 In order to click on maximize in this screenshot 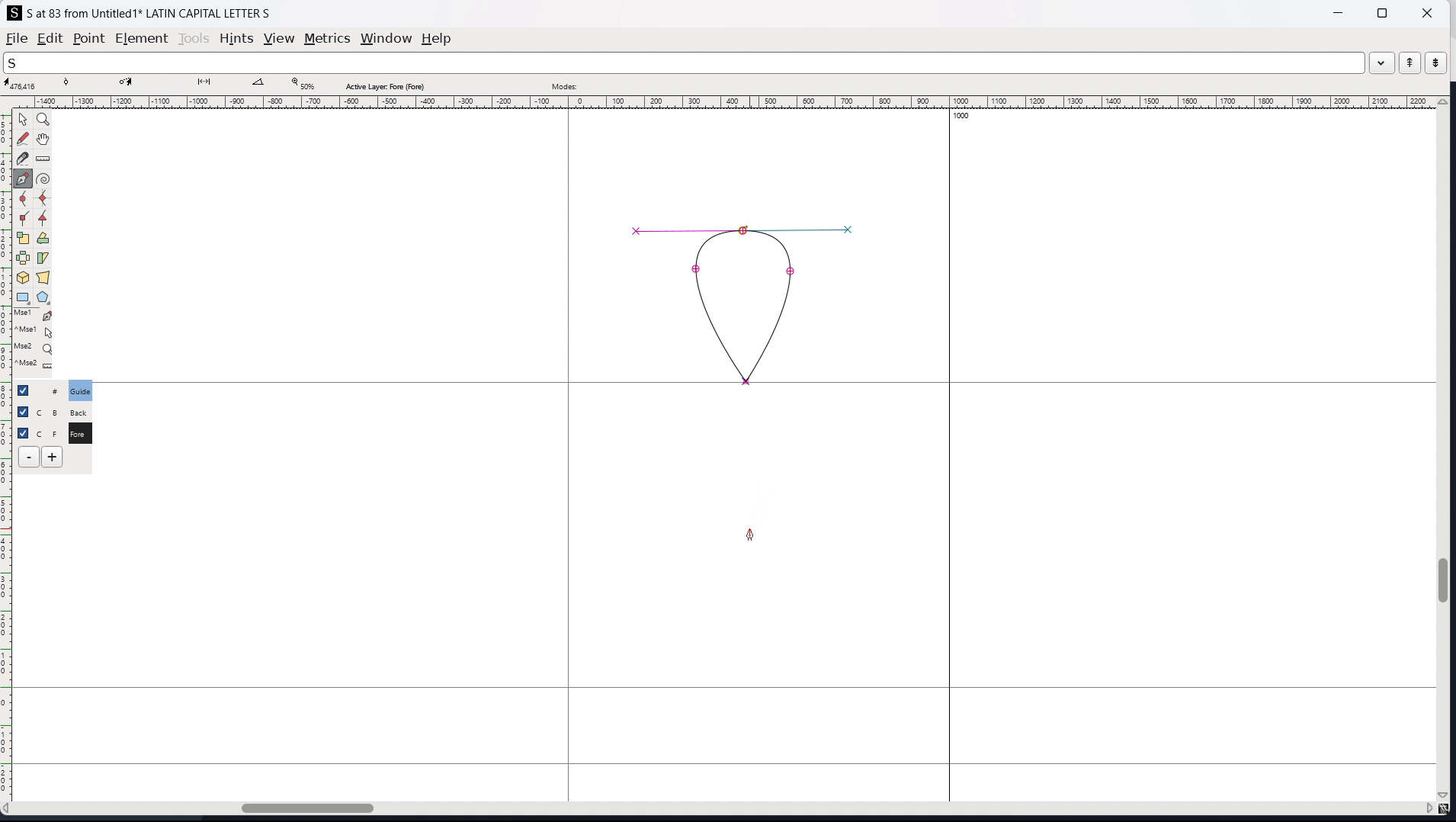, I will do `click(1382, 12)`.